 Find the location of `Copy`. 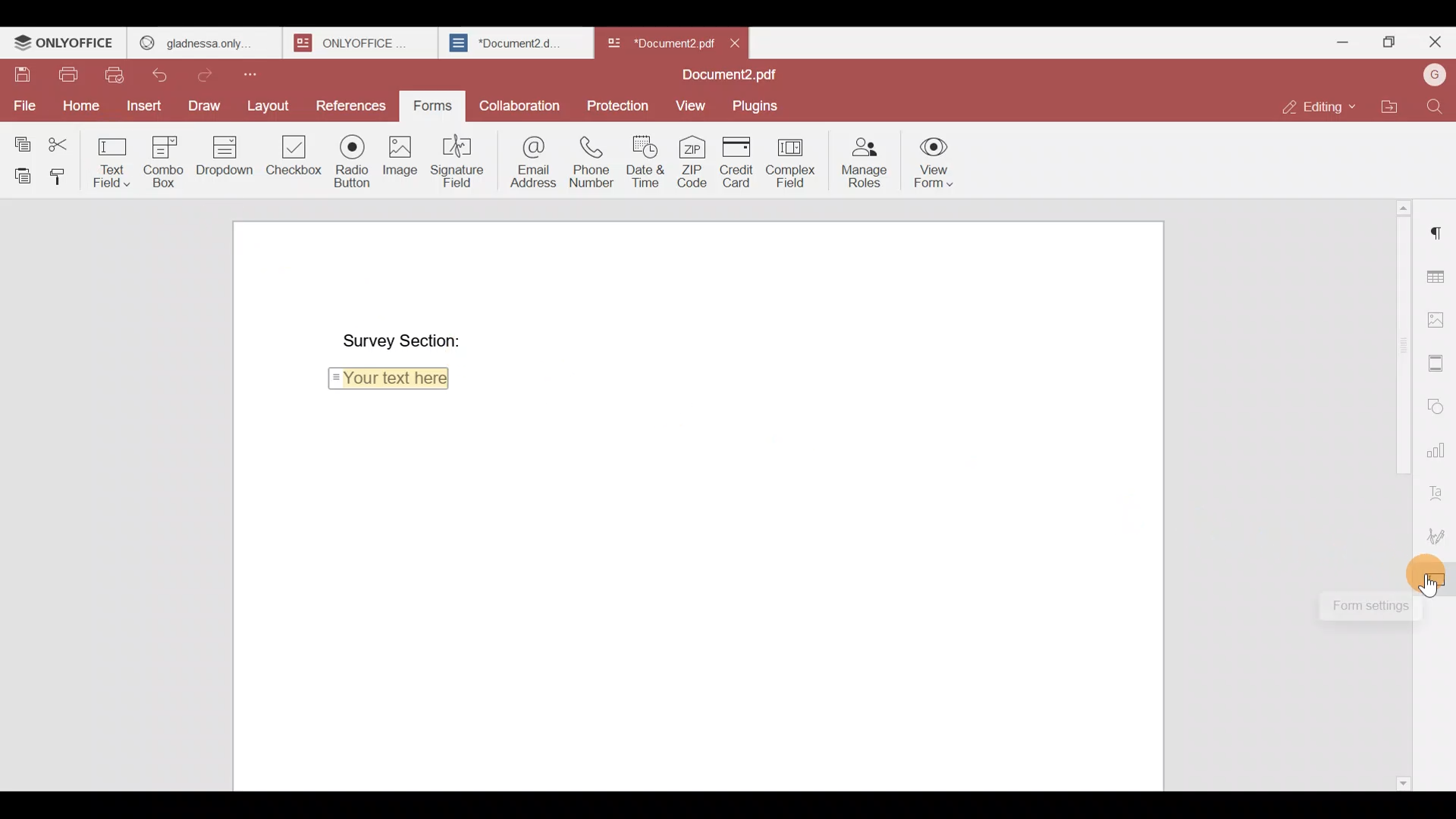

Copy is located at coordinates (22, 137).